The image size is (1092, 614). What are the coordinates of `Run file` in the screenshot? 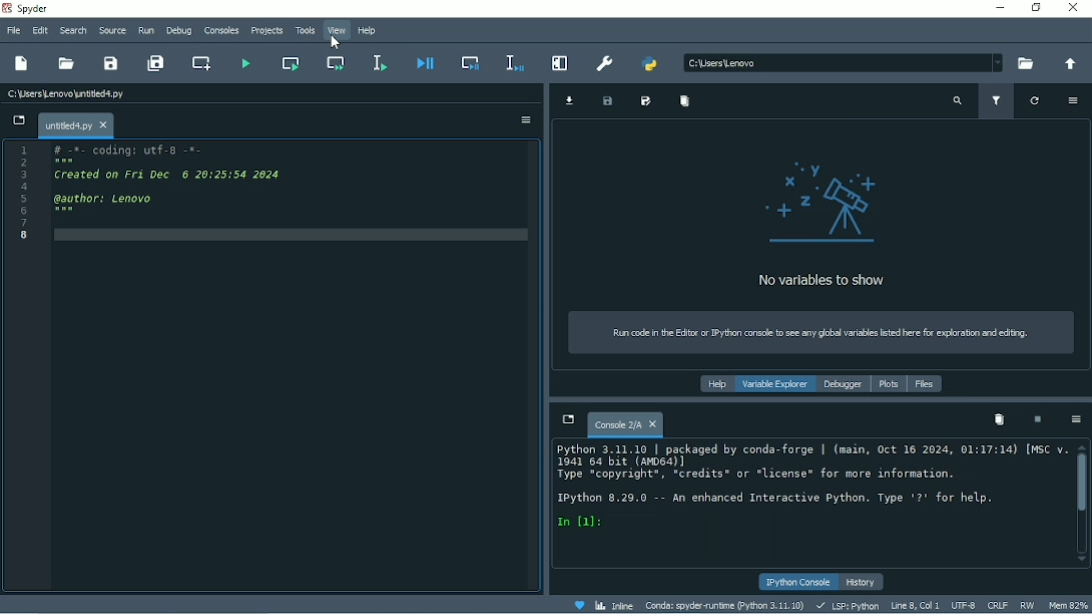 It's located at (246, 62).